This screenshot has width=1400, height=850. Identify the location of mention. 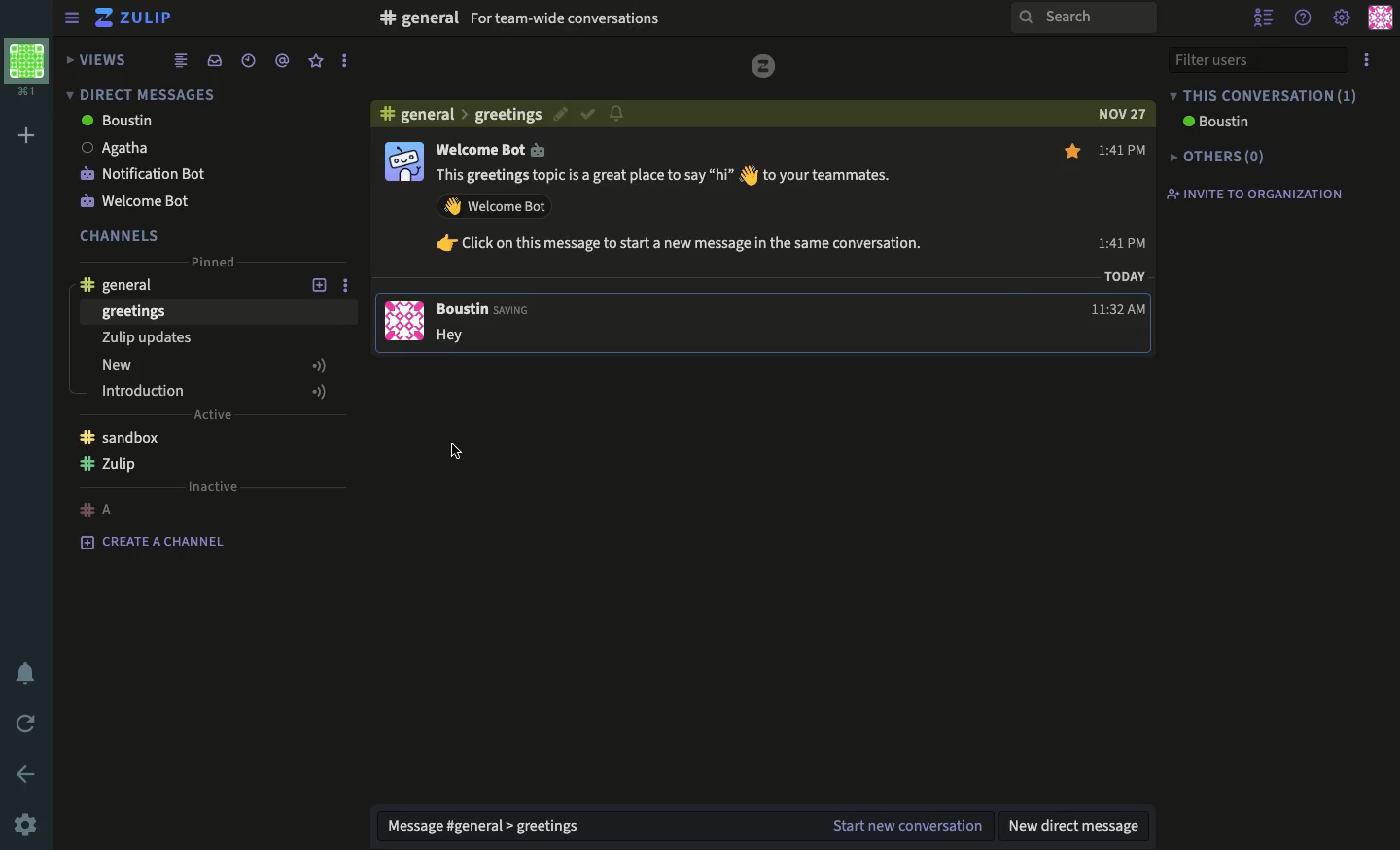
(283, 60).